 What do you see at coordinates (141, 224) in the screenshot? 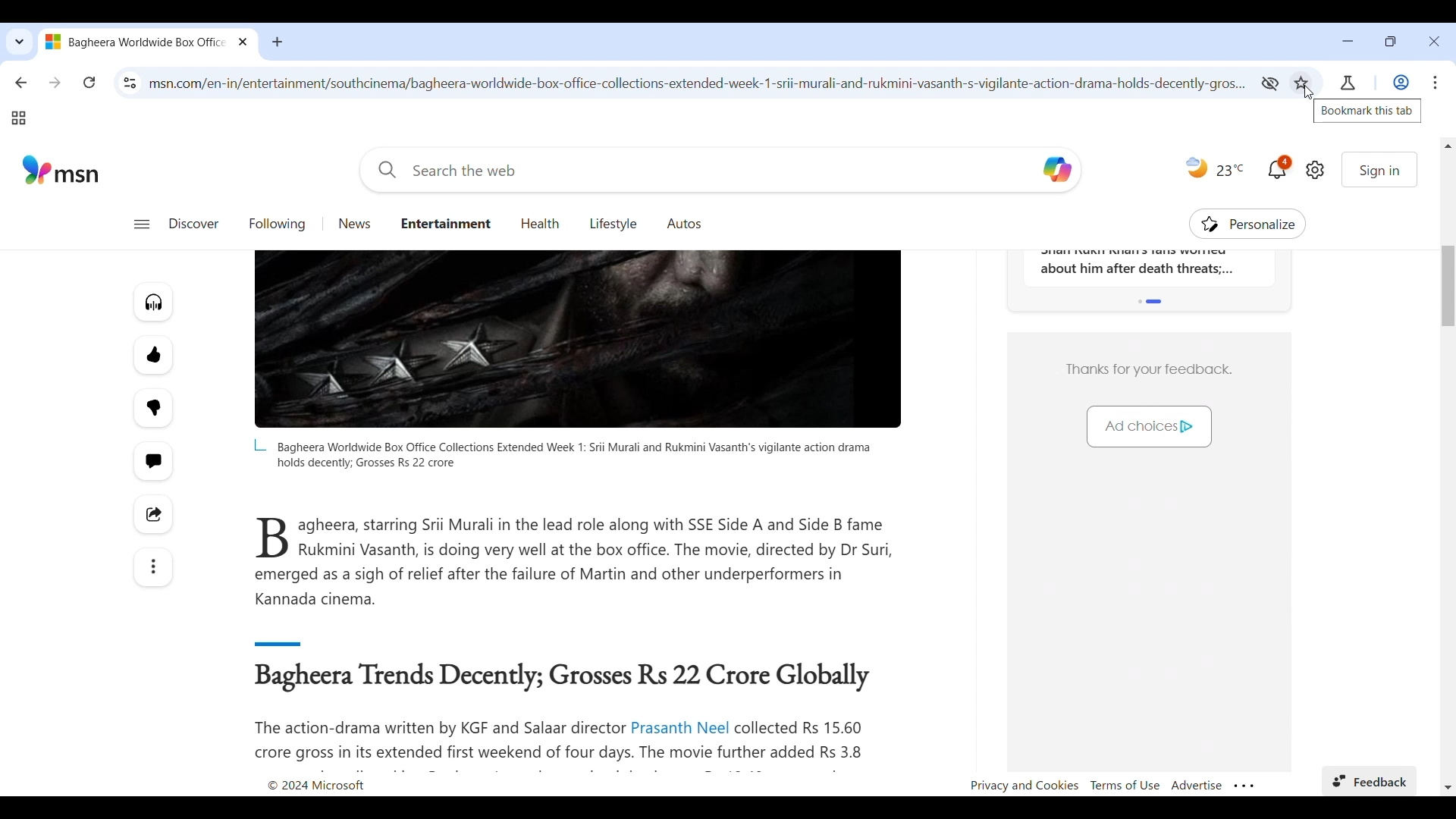
I see `Open navigation menu` at bounding box center [141, 224].